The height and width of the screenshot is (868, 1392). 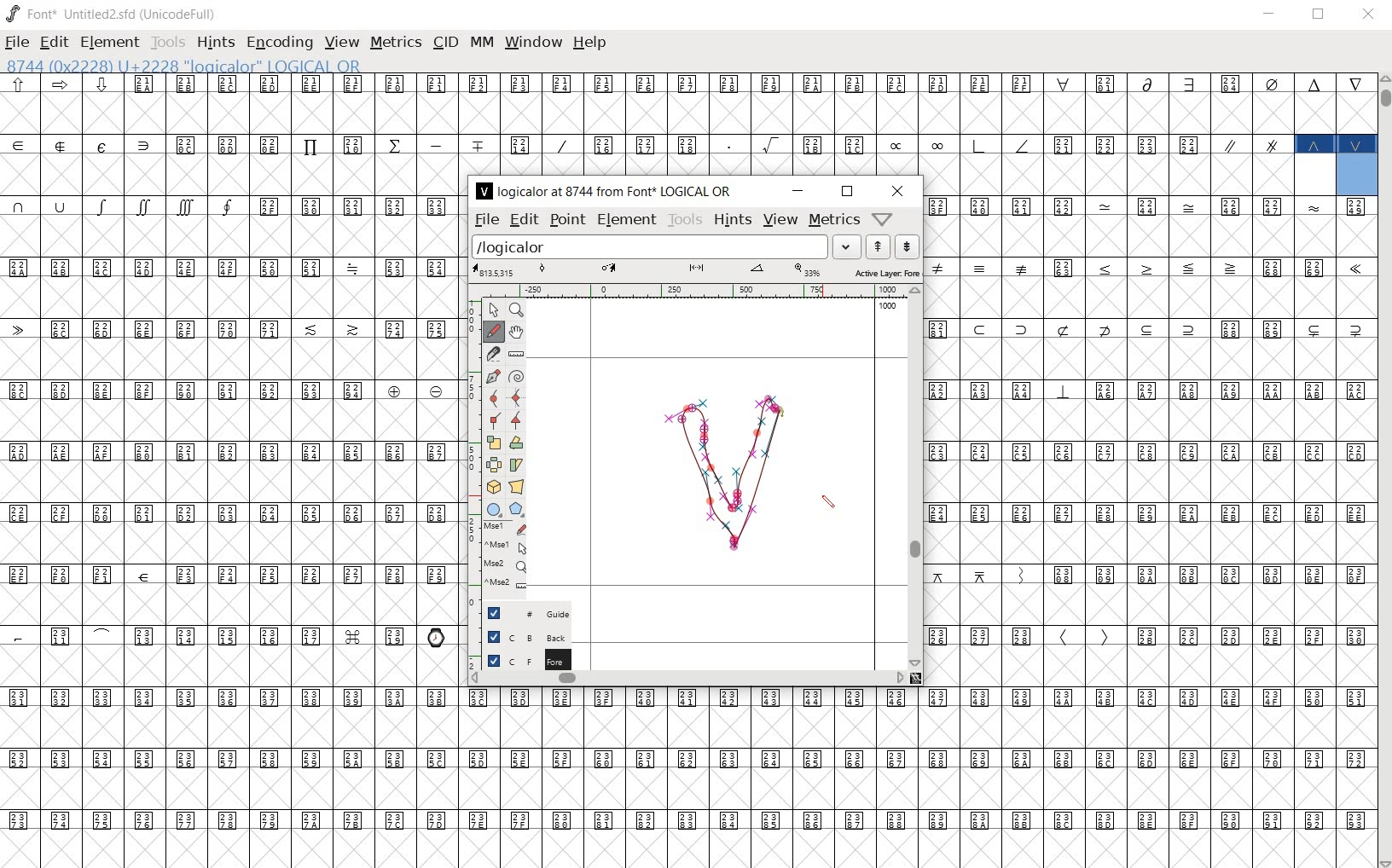 I want to click on view, so click(x=342, y=43).